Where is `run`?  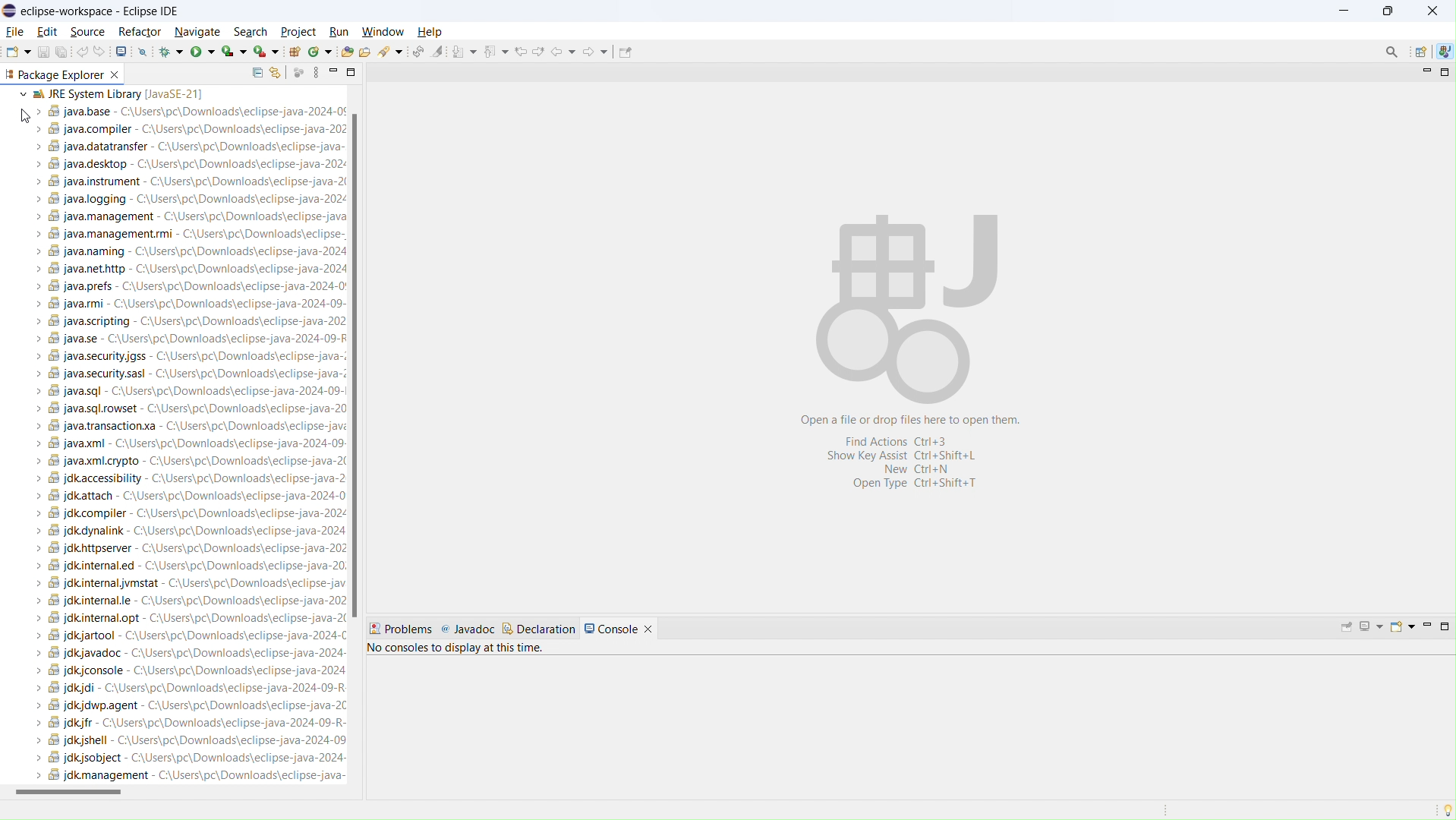
run is located at coordinates (335, 30).